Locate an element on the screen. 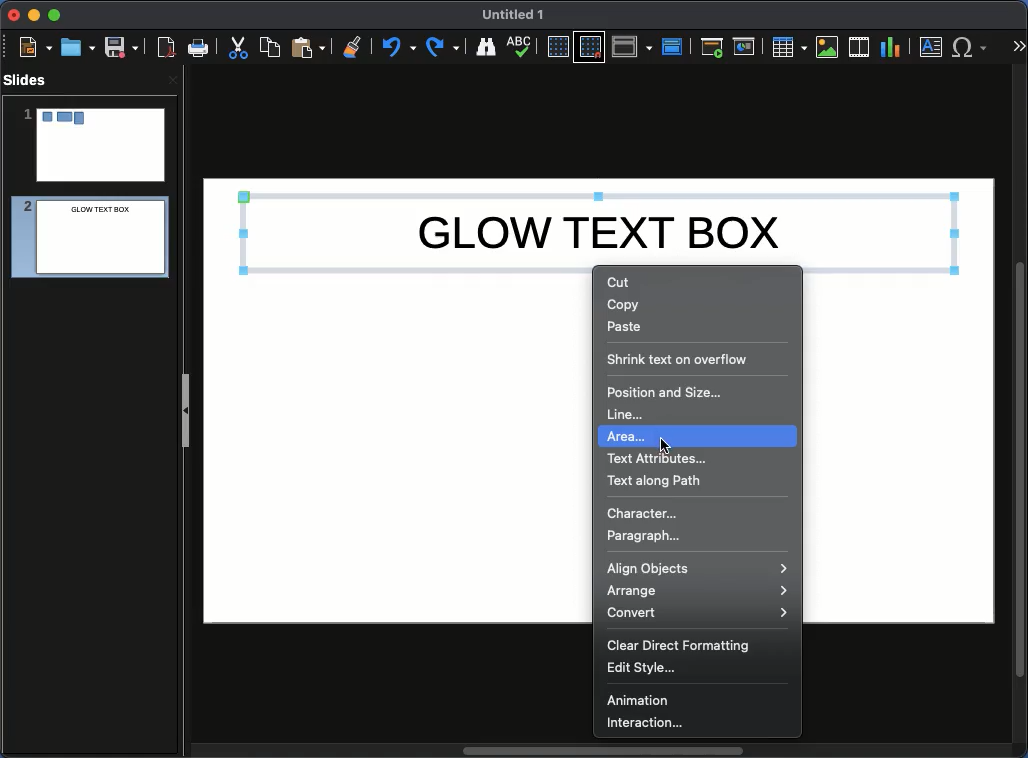 This screenshot has height=758, width=1028. Audio or video is located at coordinates (860, 47).